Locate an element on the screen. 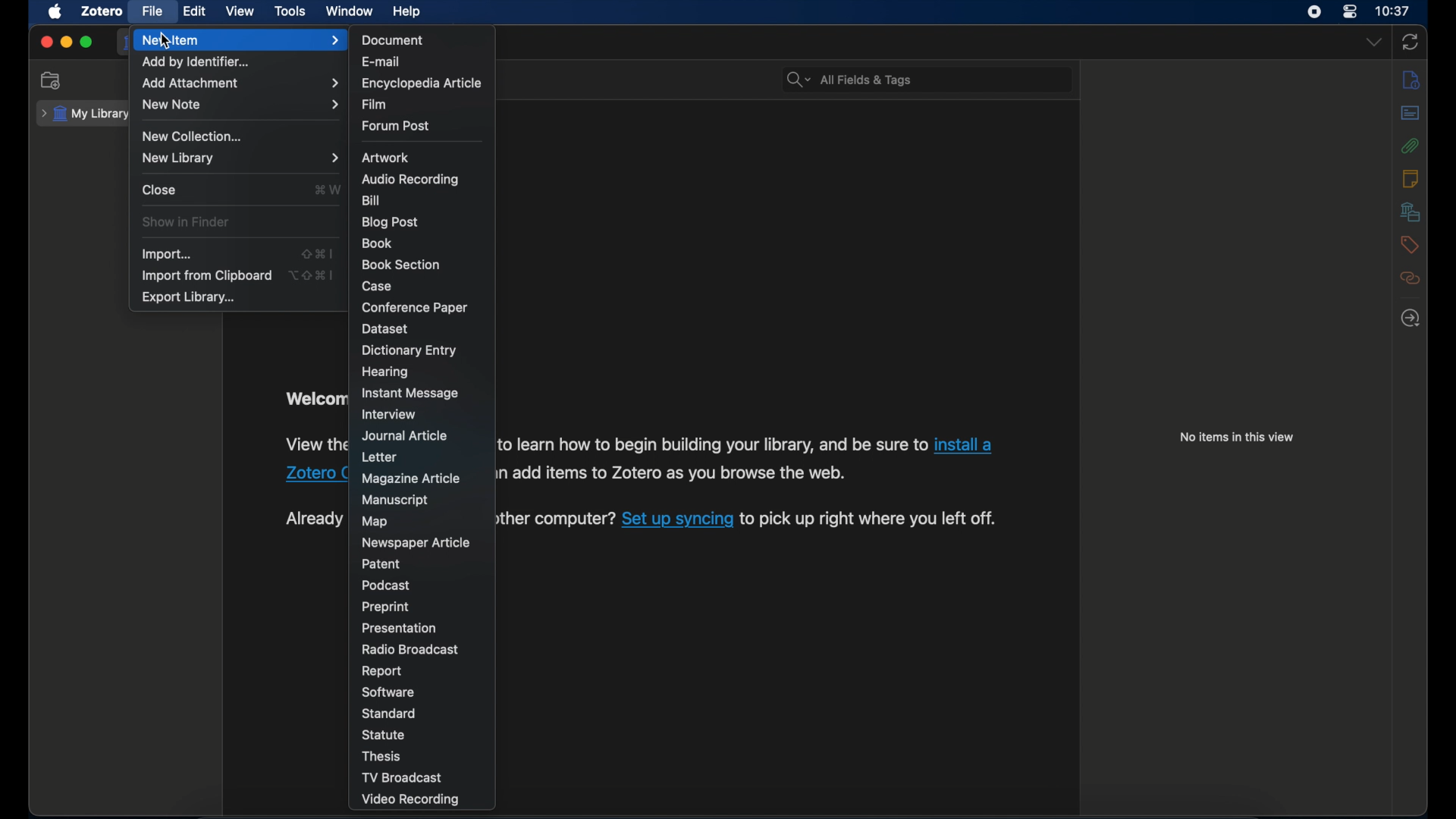 This screenshot has width=1456, height=819. artwork is located at coordinates (387, 158).